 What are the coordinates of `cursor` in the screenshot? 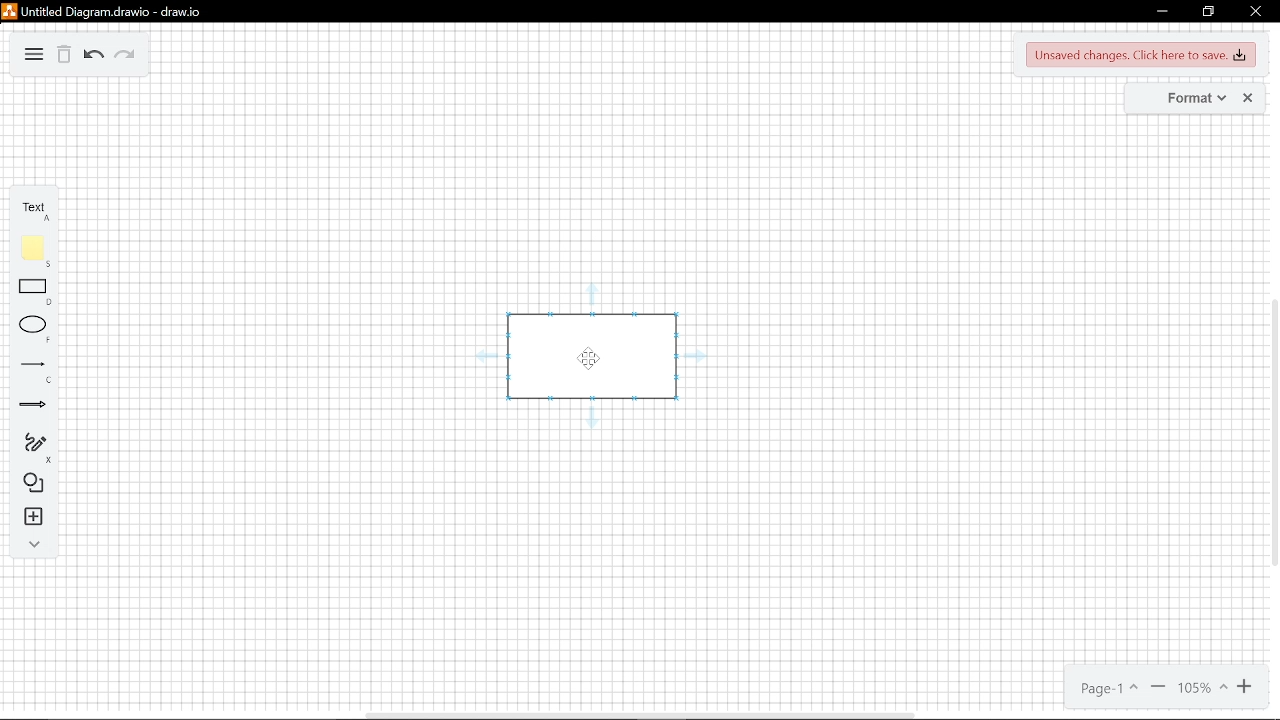 It's located at (589, 358).